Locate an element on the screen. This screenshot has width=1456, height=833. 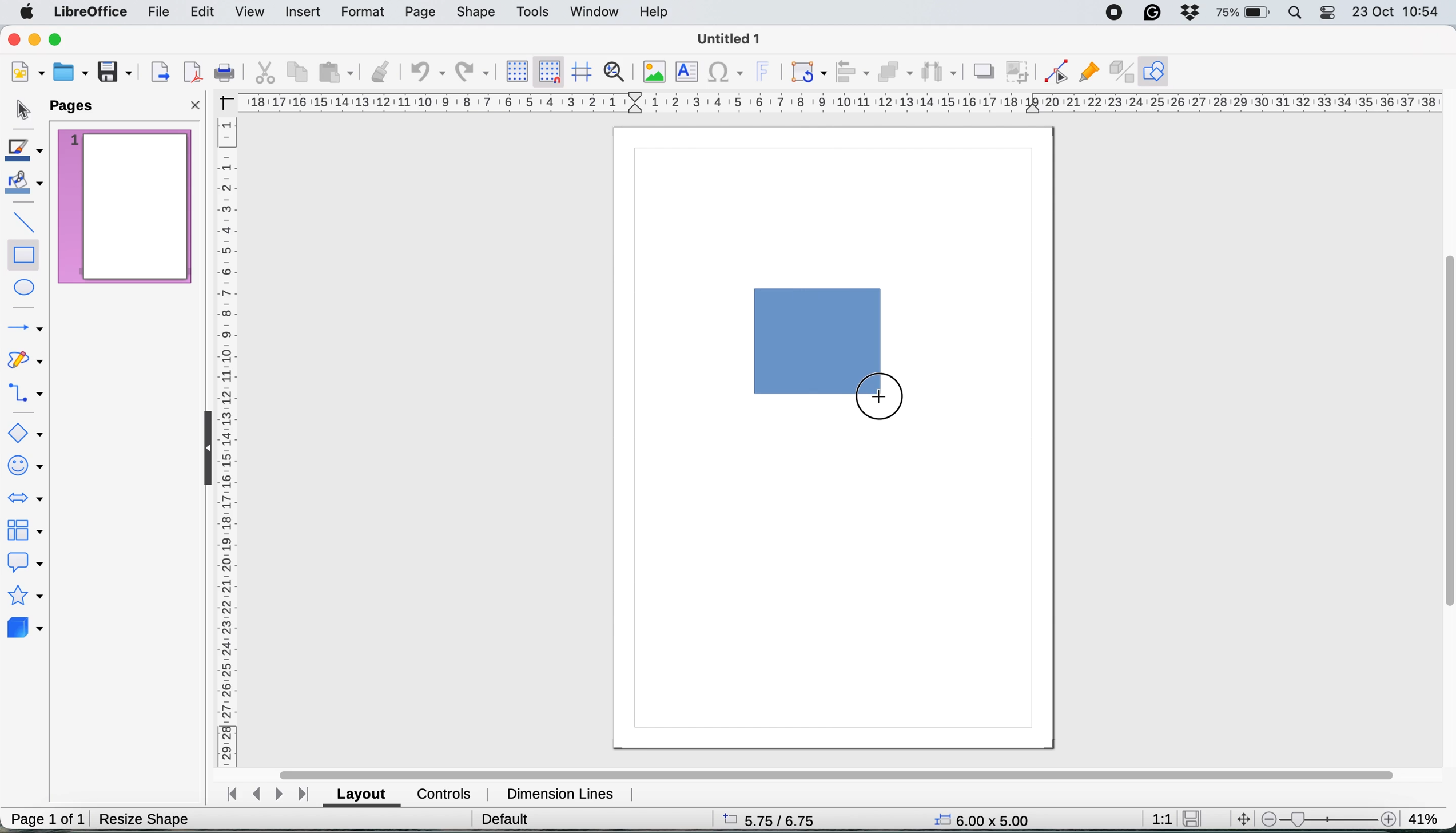
save is located at coordinates (1196, 818).